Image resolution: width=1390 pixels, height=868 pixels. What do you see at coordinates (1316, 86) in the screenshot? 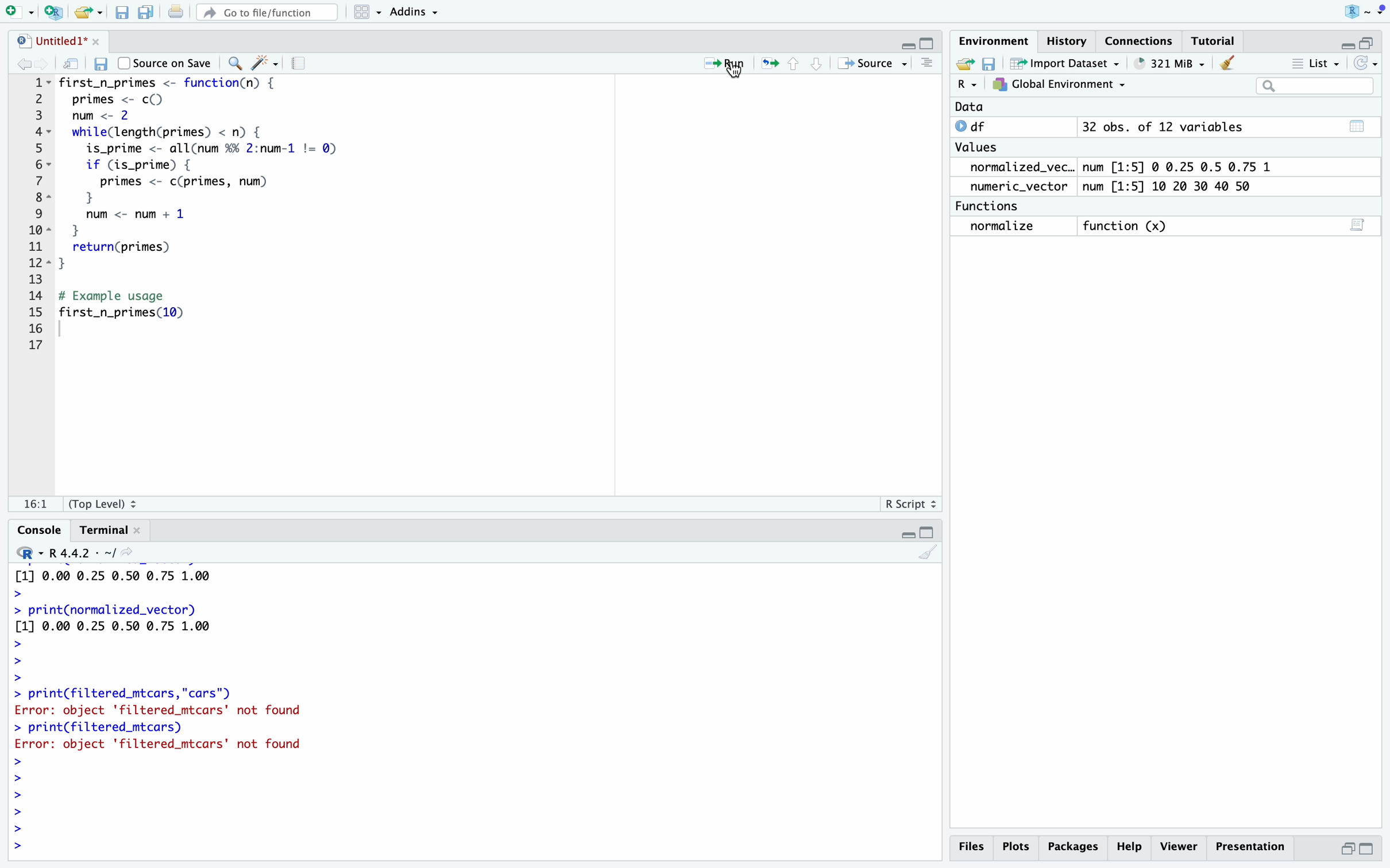
I see `search bar` at bounding box center [1316, 86].